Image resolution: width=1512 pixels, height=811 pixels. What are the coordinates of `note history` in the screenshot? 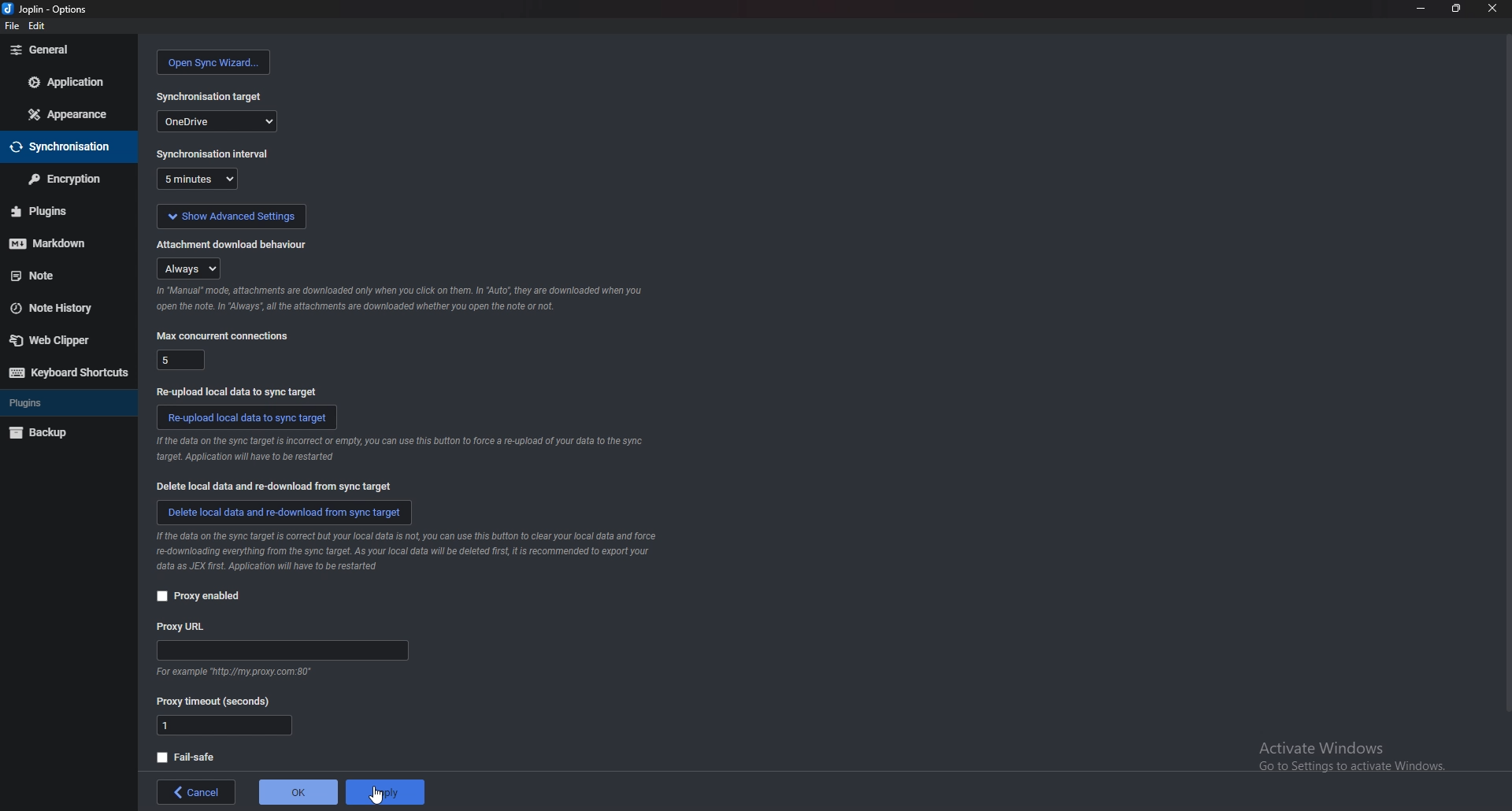 It's located at (63, 306).